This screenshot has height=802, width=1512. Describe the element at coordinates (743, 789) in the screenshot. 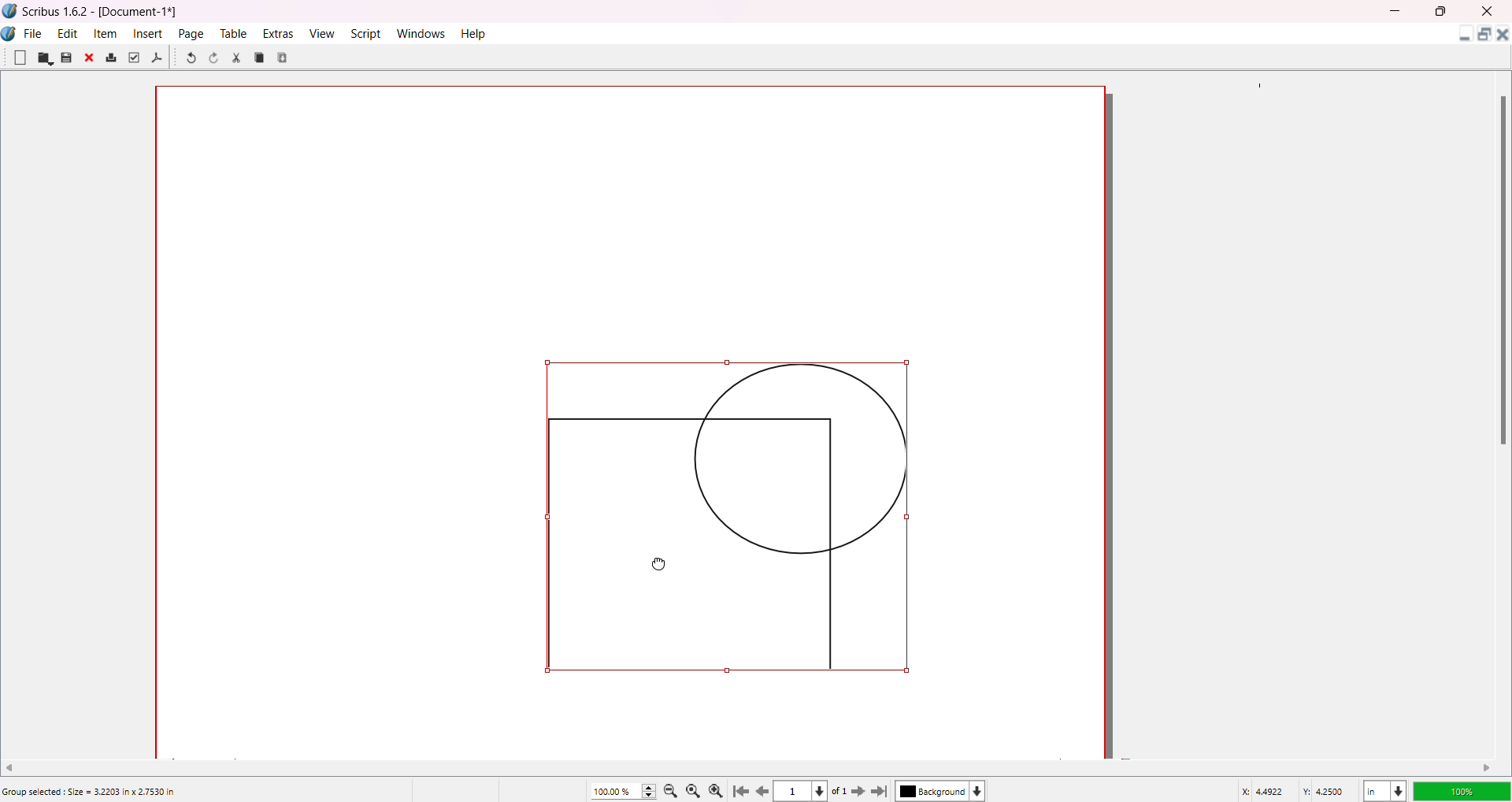

I see `First Page` at that location.